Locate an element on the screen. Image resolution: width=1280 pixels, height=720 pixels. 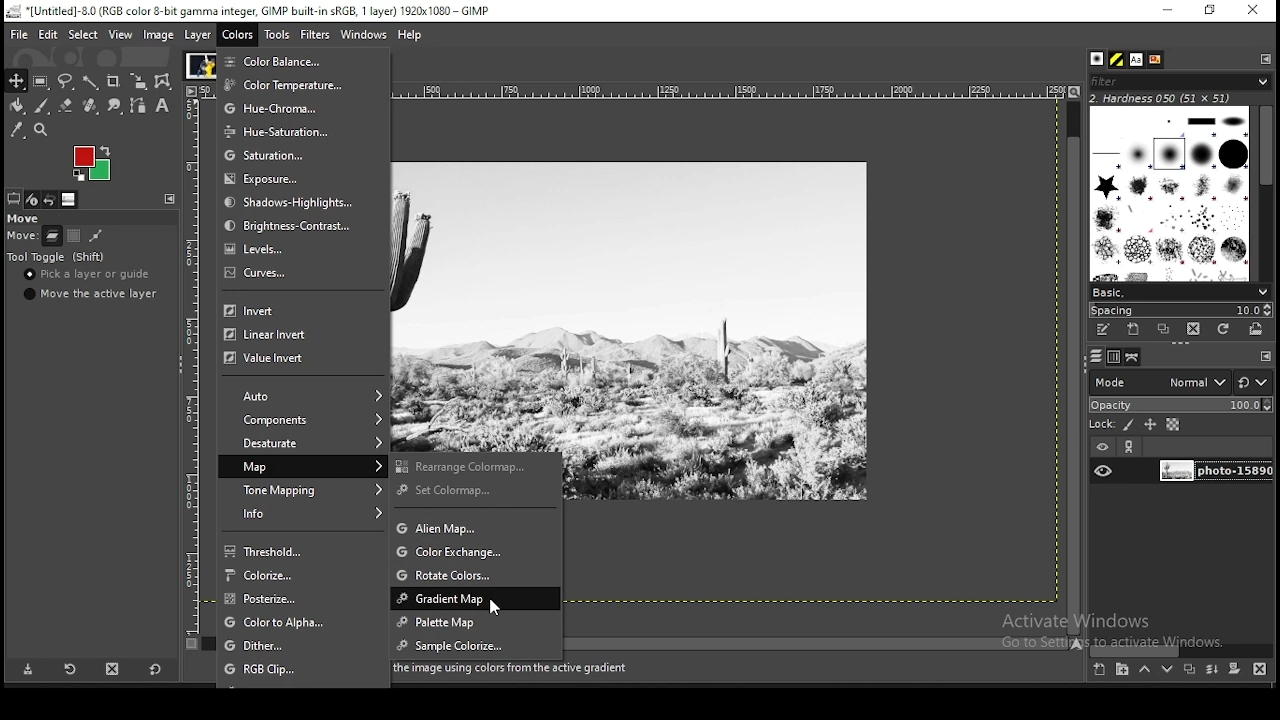
lock pixels is located at coordinates (1111, 423).